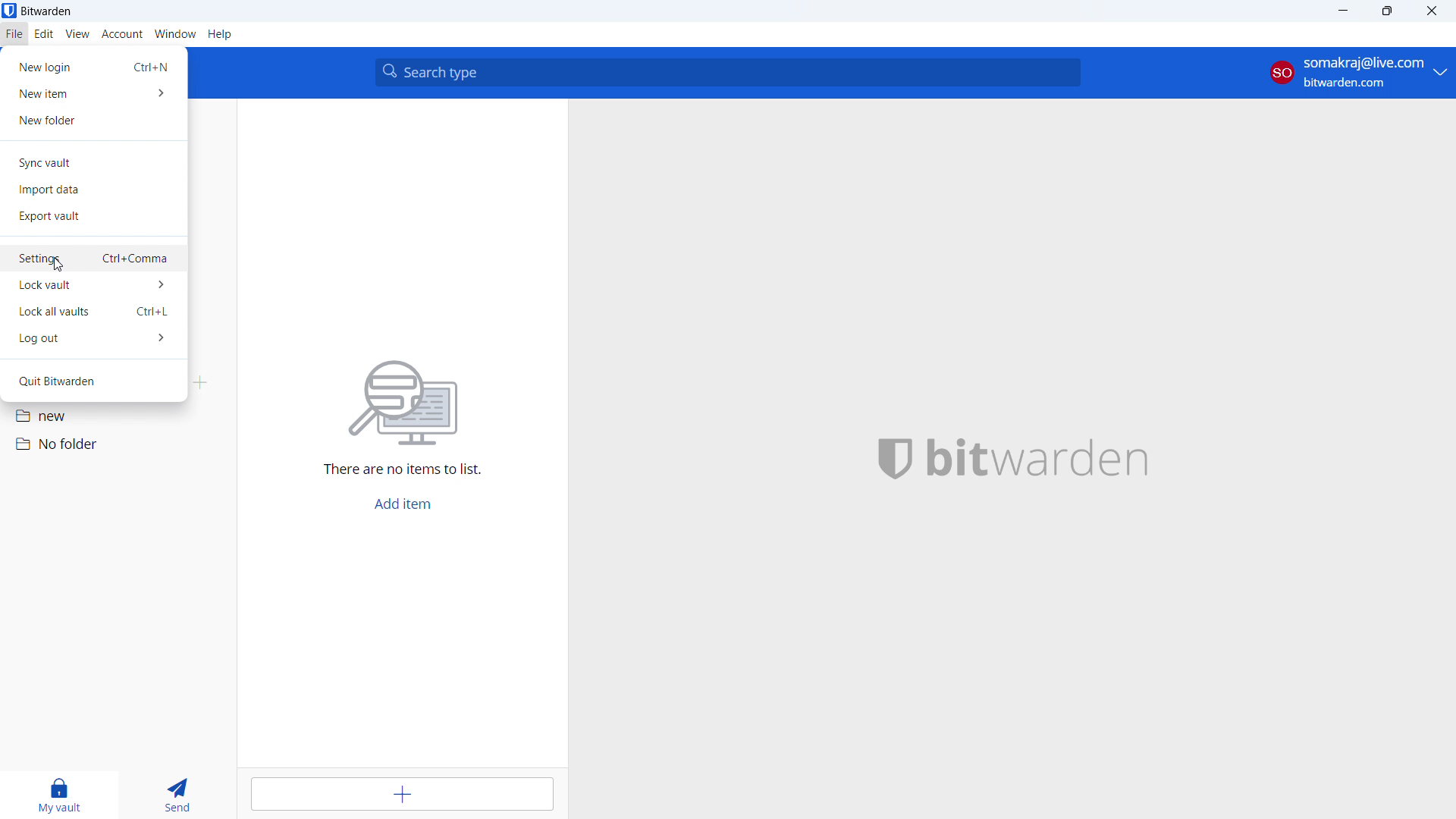  I want to click on title, so click(47, 11).